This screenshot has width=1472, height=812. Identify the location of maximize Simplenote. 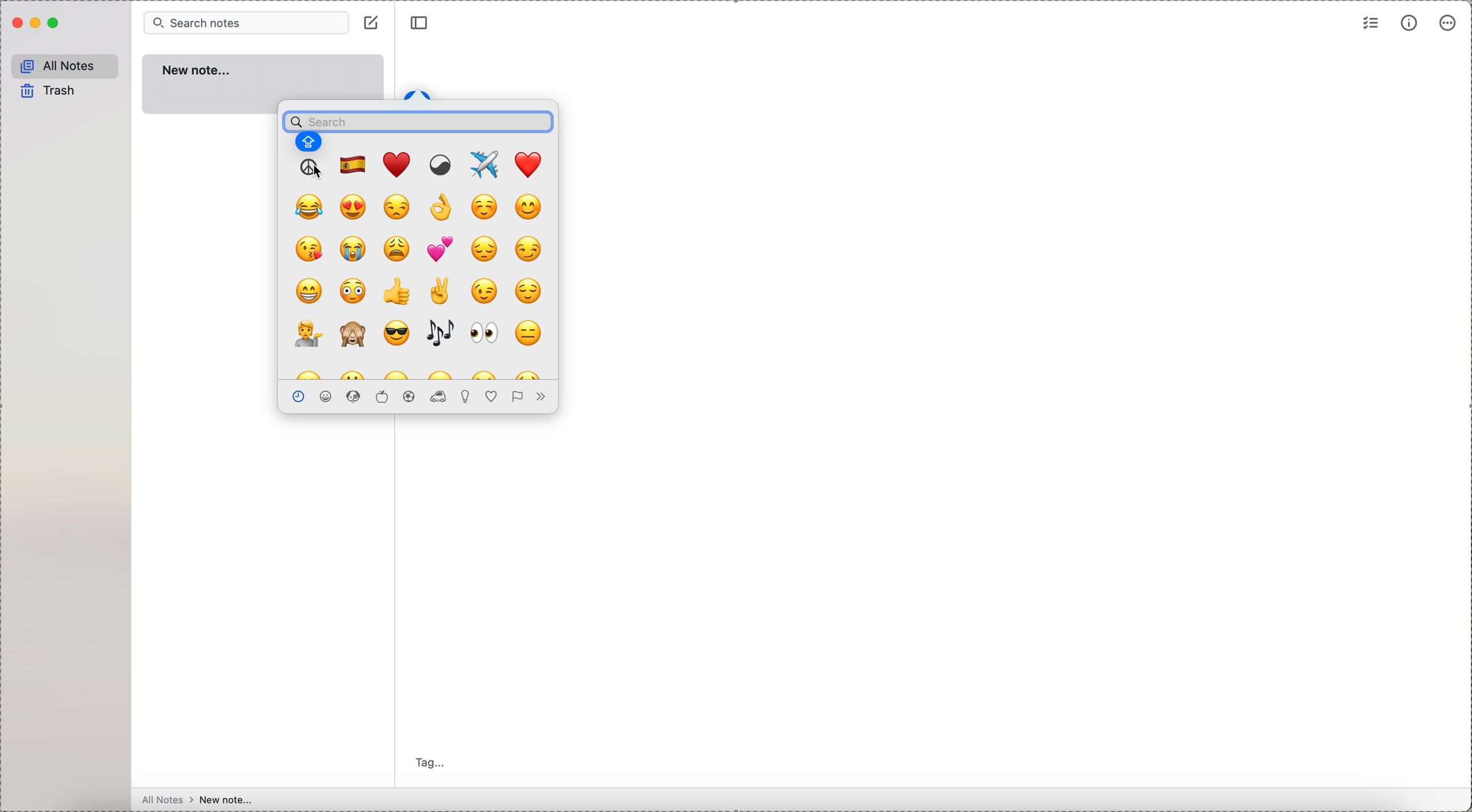
(55, 23).